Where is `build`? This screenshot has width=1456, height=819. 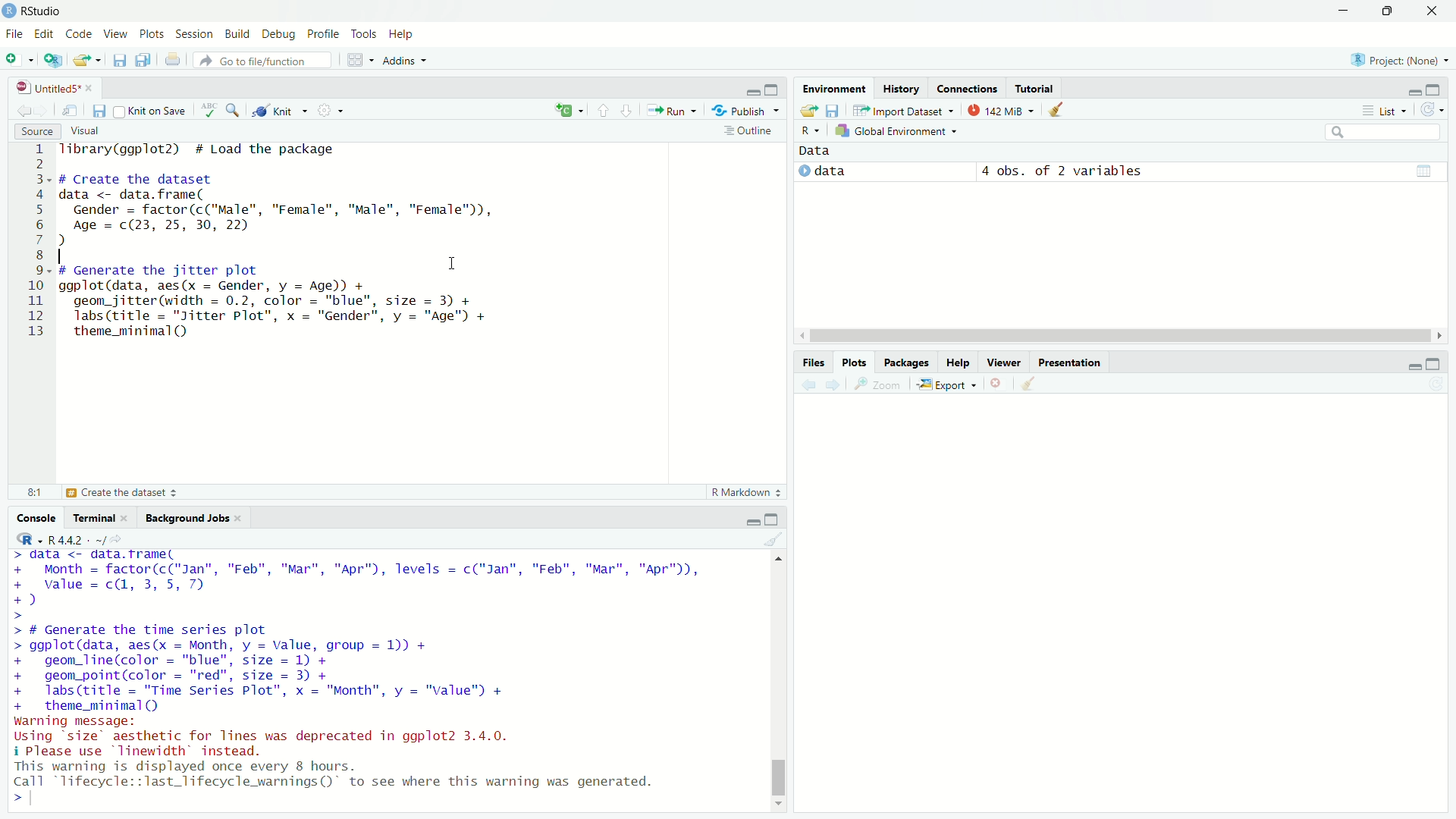 build is located at coordinates (236, 32).